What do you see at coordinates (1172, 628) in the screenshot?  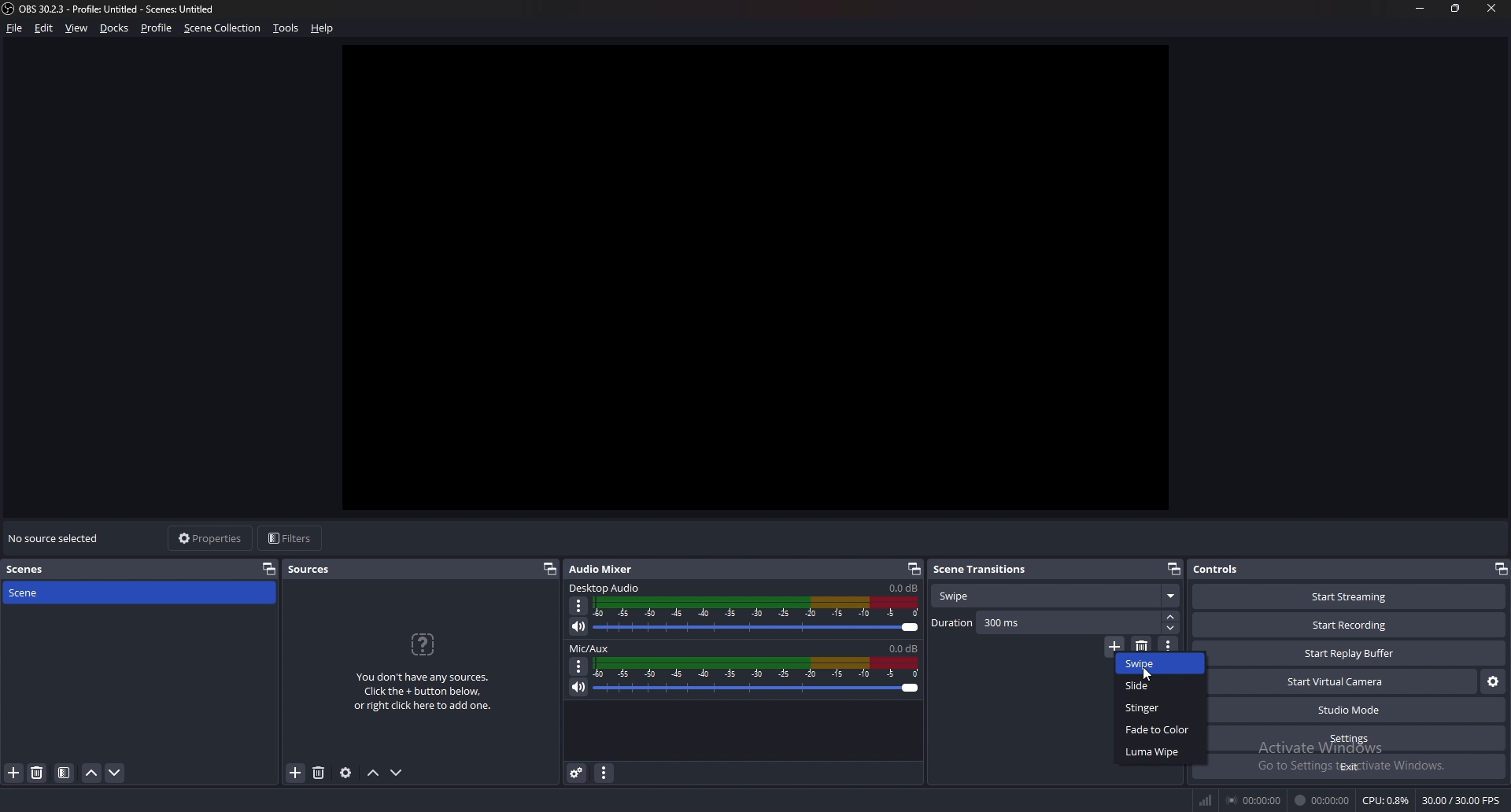 I see `decrease duration` at bounding box center [1172, 628].